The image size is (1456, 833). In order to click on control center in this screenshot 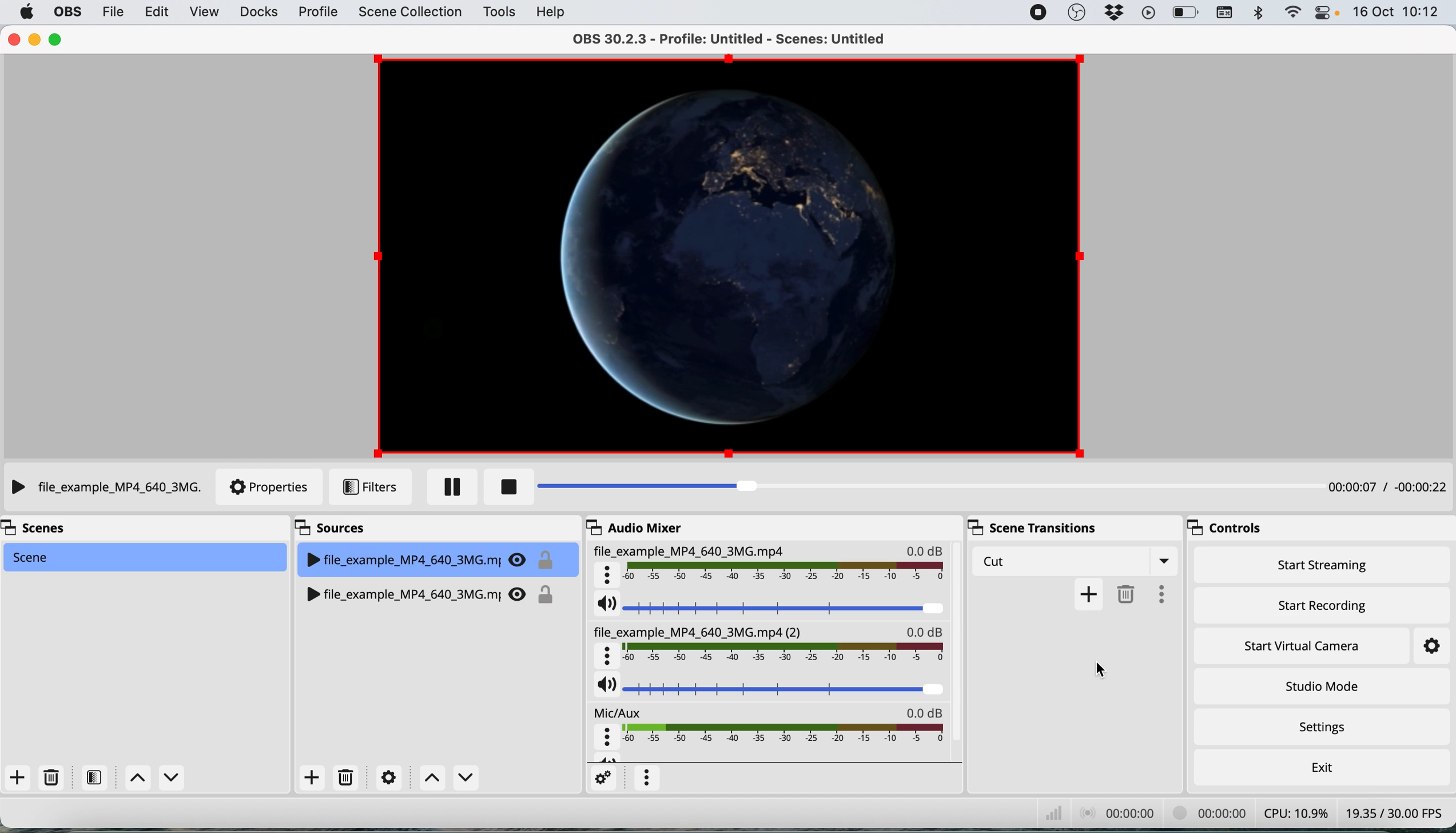, I will do `click(1329, 13)`.